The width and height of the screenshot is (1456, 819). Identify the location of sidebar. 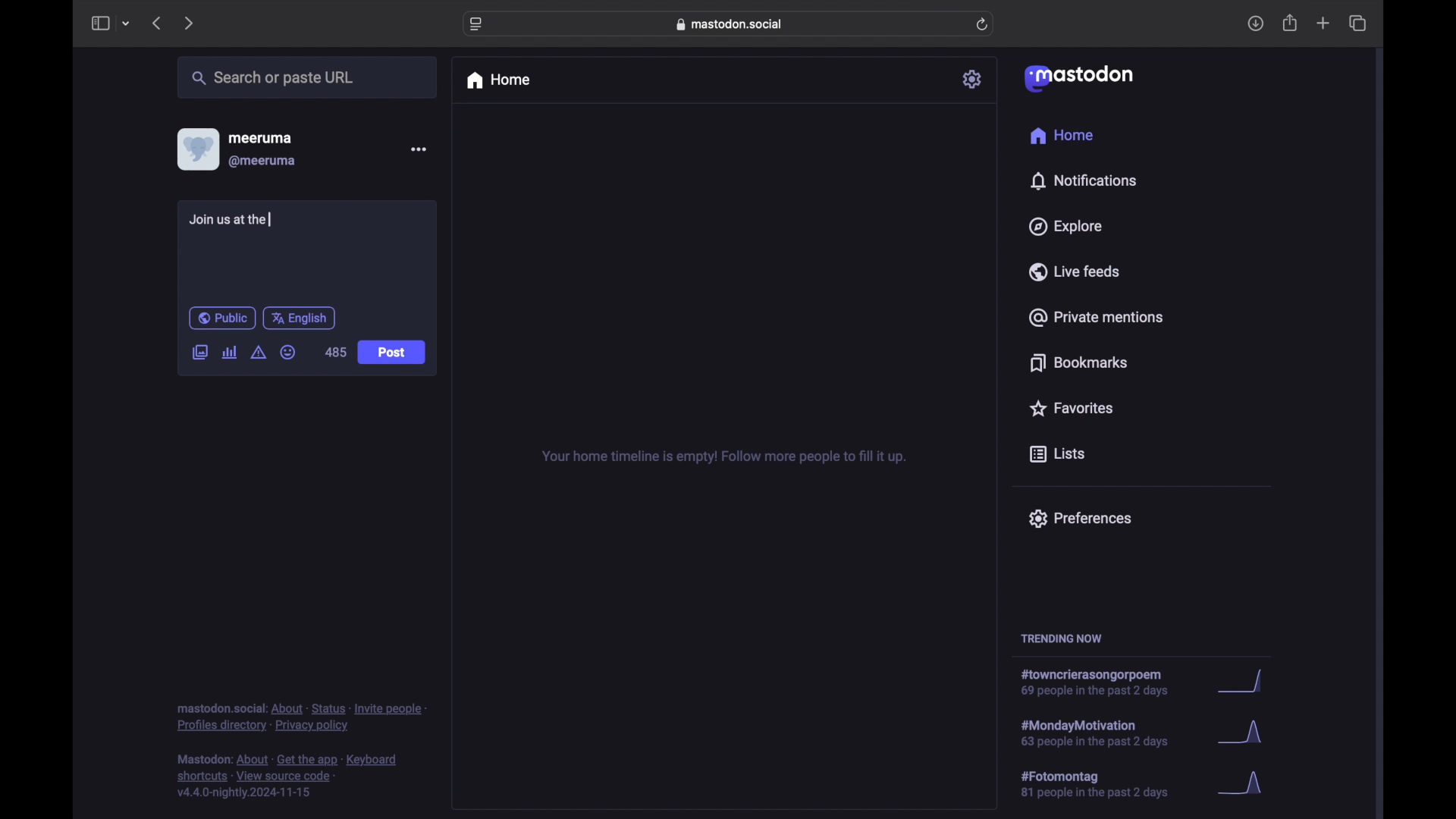
(99, 23).